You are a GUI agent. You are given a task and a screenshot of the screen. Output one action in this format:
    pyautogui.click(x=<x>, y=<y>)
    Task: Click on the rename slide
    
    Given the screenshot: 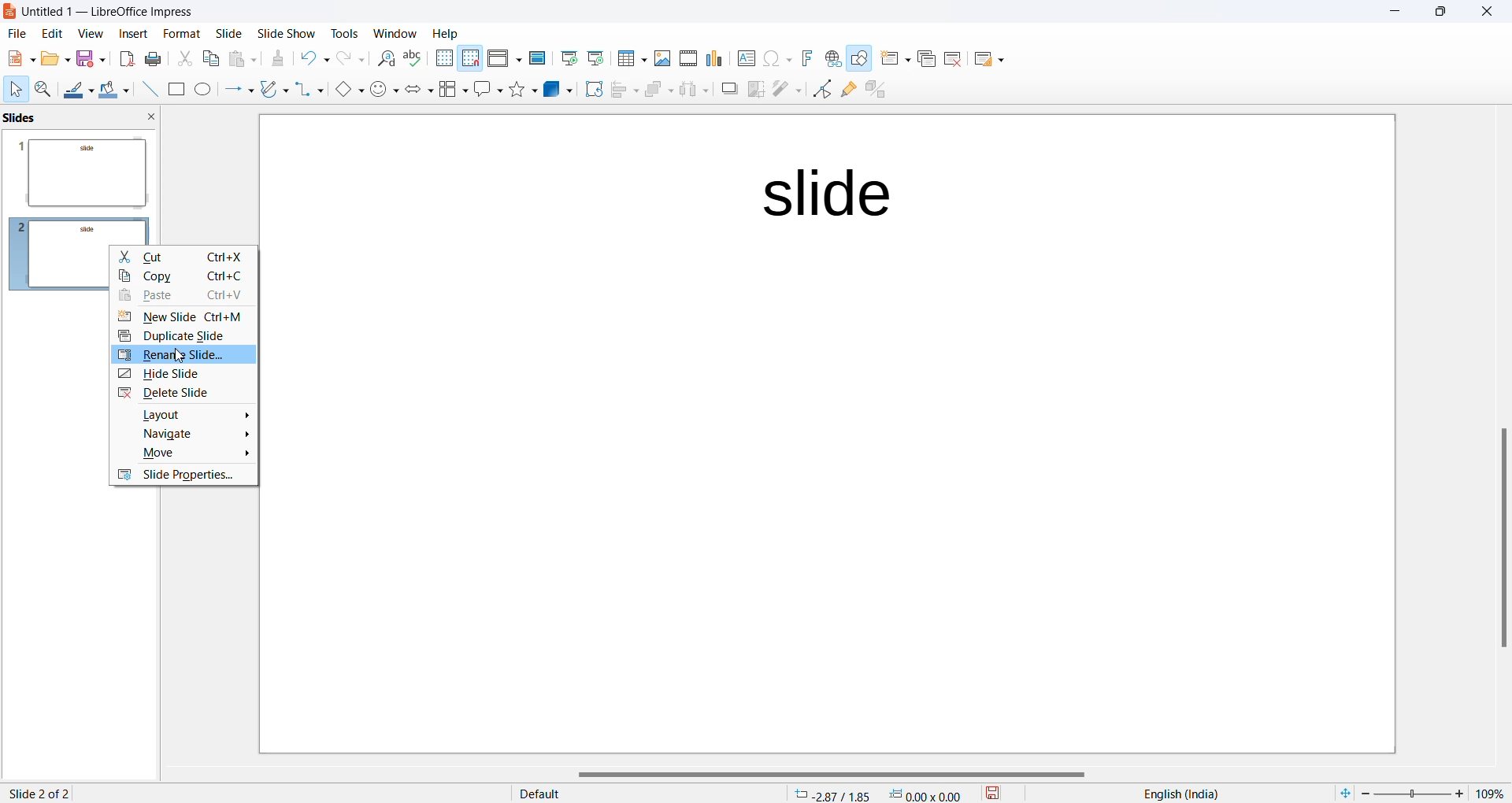 What is the action you would take?
    pyautogui.click(x=180, y=355)
    